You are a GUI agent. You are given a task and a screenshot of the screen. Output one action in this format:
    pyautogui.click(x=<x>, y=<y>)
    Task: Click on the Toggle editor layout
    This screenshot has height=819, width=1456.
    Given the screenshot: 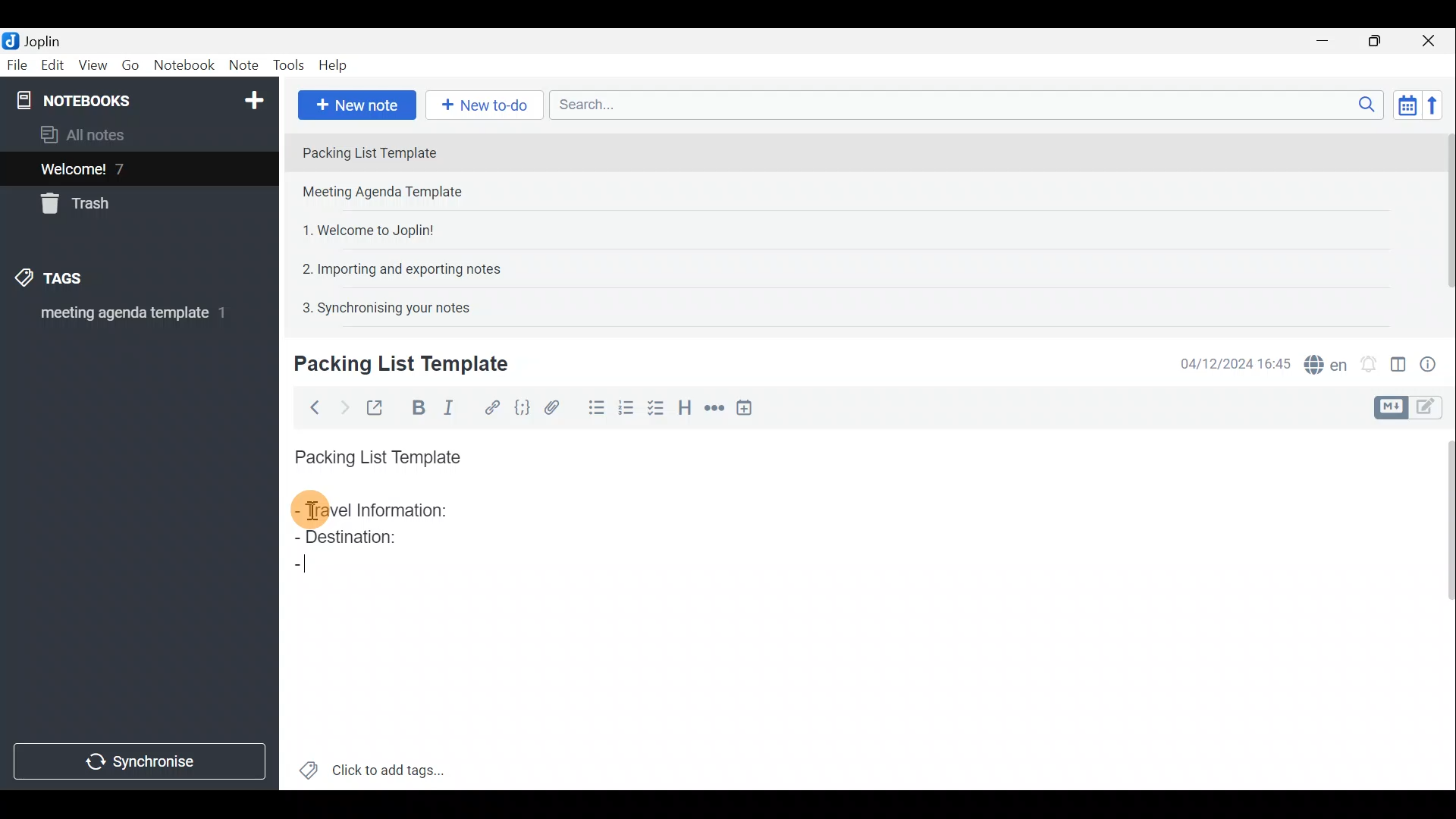 What is the action you would take?
    pyautogui.click(x=1398, y=359)
    